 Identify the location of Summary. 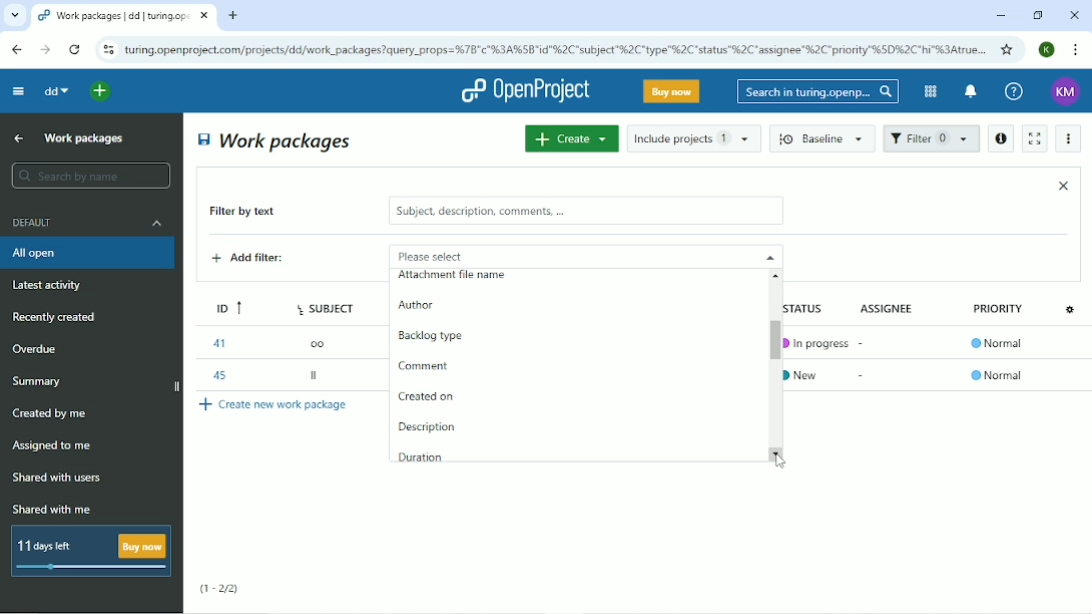
(40, 381).